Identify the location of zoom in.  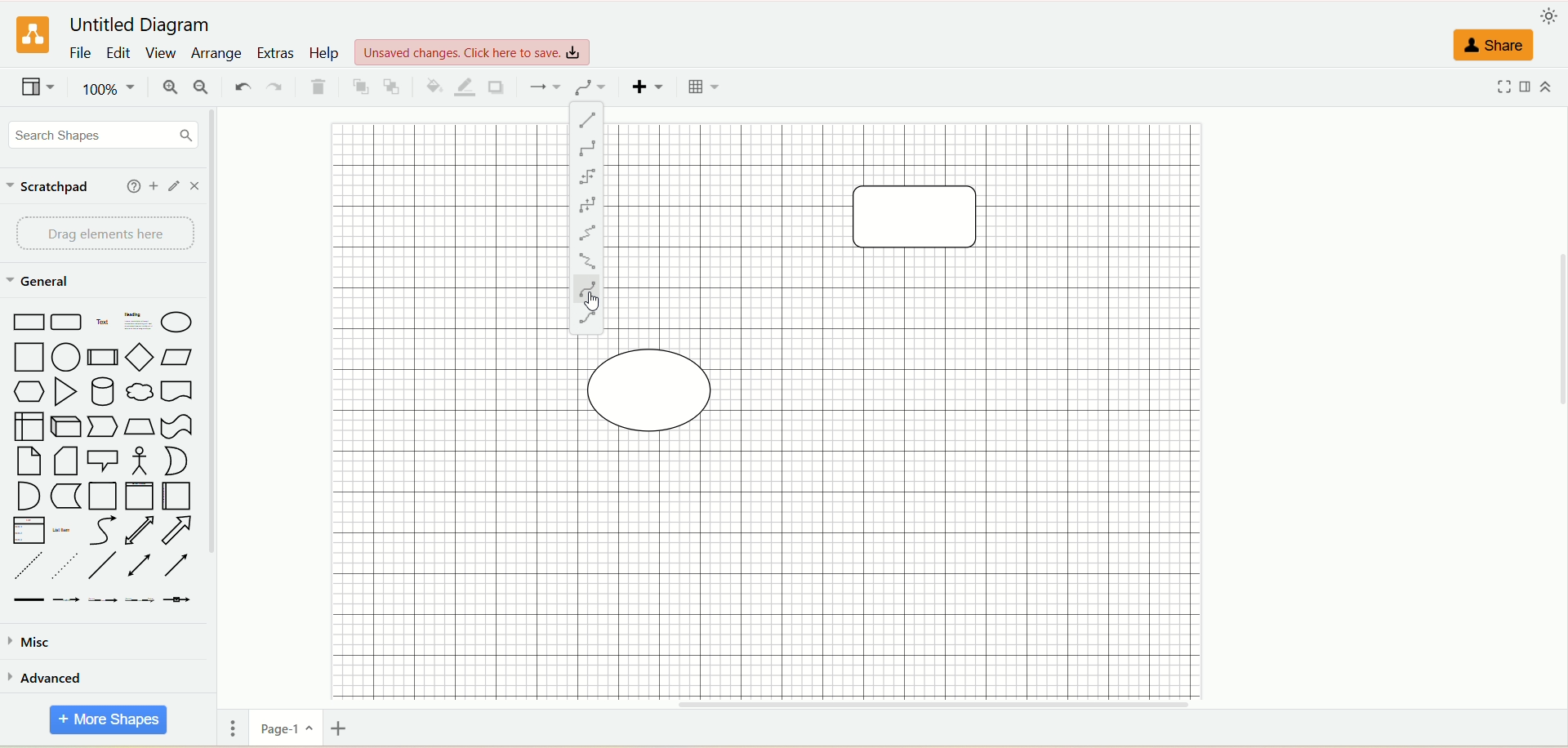
(171, 89).